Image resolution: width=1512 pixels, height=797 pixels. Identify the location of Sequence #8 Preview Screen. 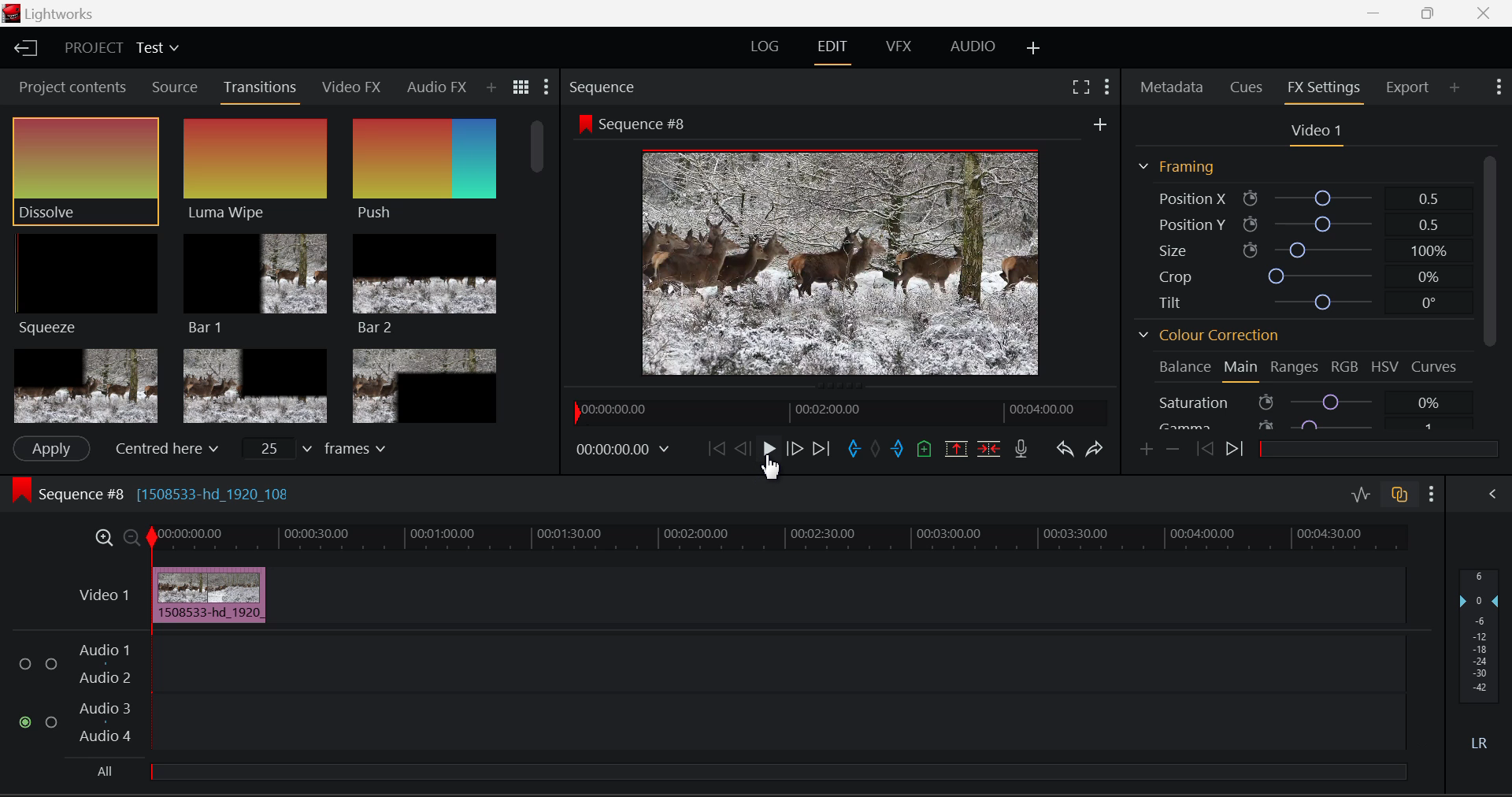
(841, 246).